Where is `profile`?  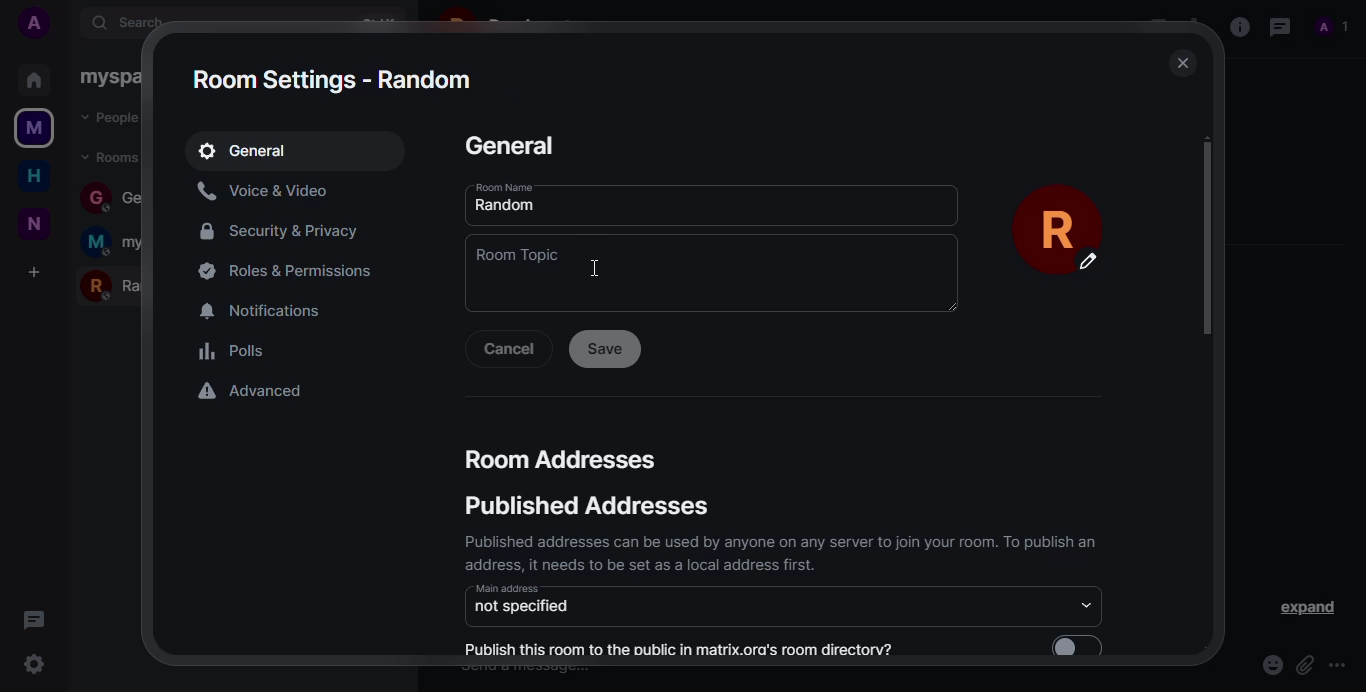
profile is located at coordinates (1332, 29).